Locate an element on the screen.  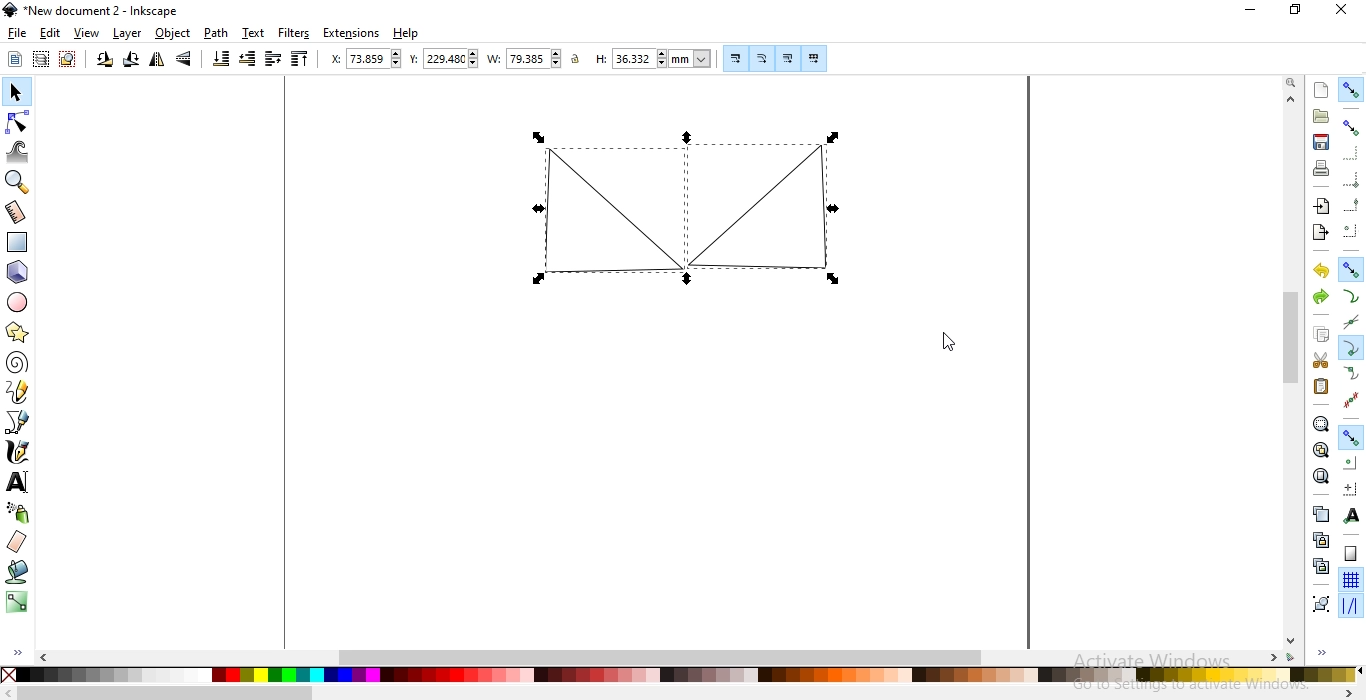
select all objects or nodes is located at coordinates (15, 60).